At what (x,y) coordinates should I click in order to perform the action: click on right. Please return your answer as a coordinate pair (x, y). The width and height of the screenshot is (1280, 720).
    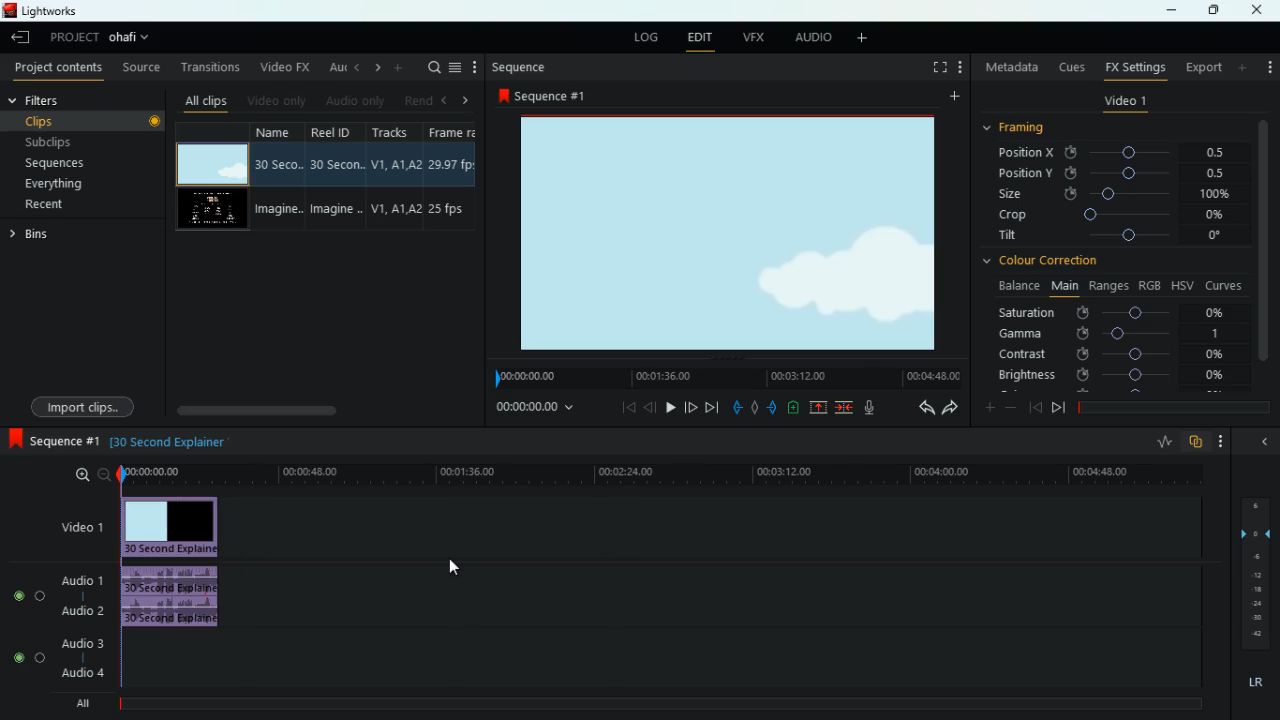
    Looking at the image, I should click on (467, 100).